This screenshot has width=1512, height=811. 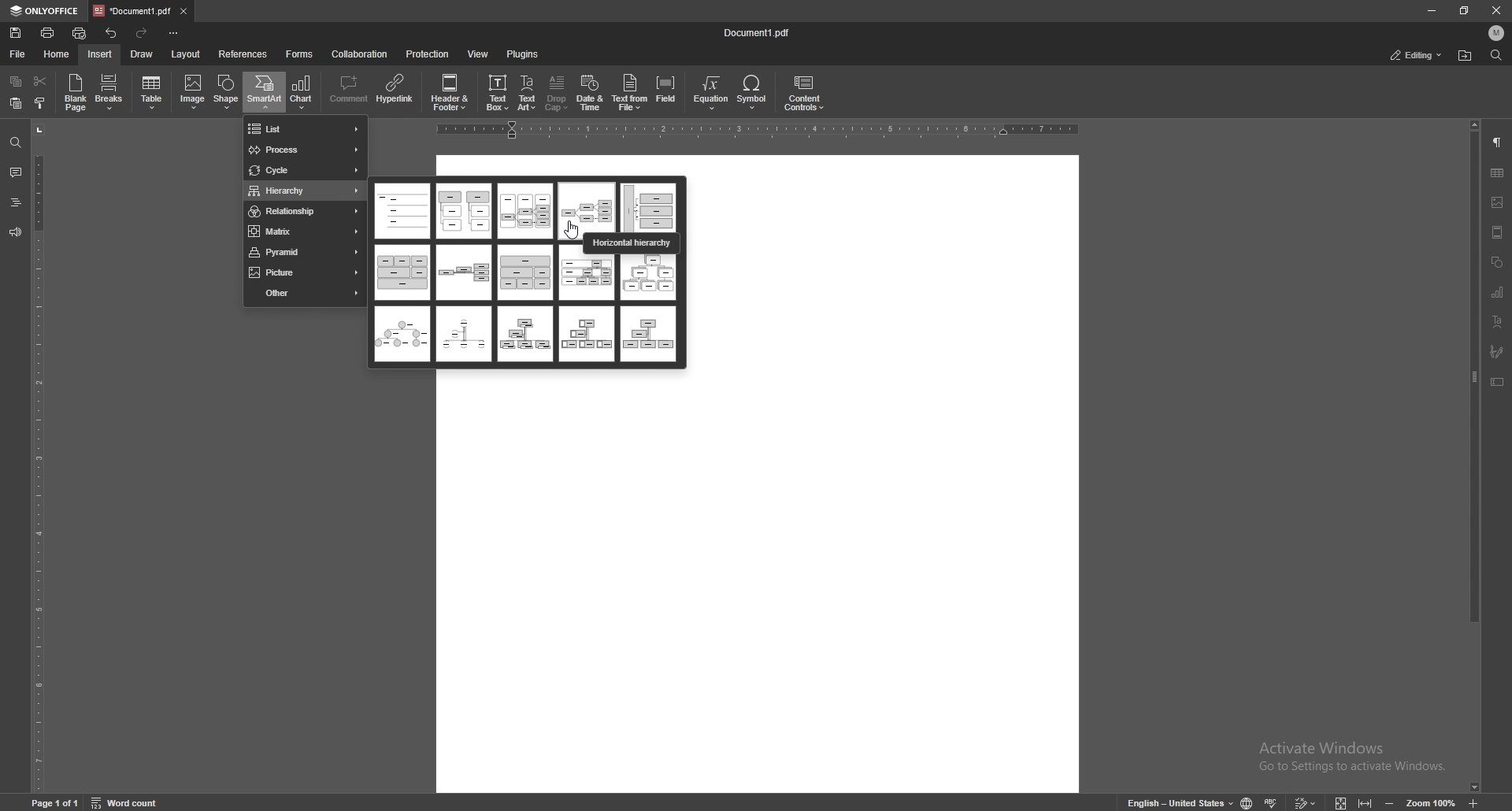 What do you see at coordinates (302, 252) in the screenshot?
I see `pyramid` at bounding box center [302, 252].